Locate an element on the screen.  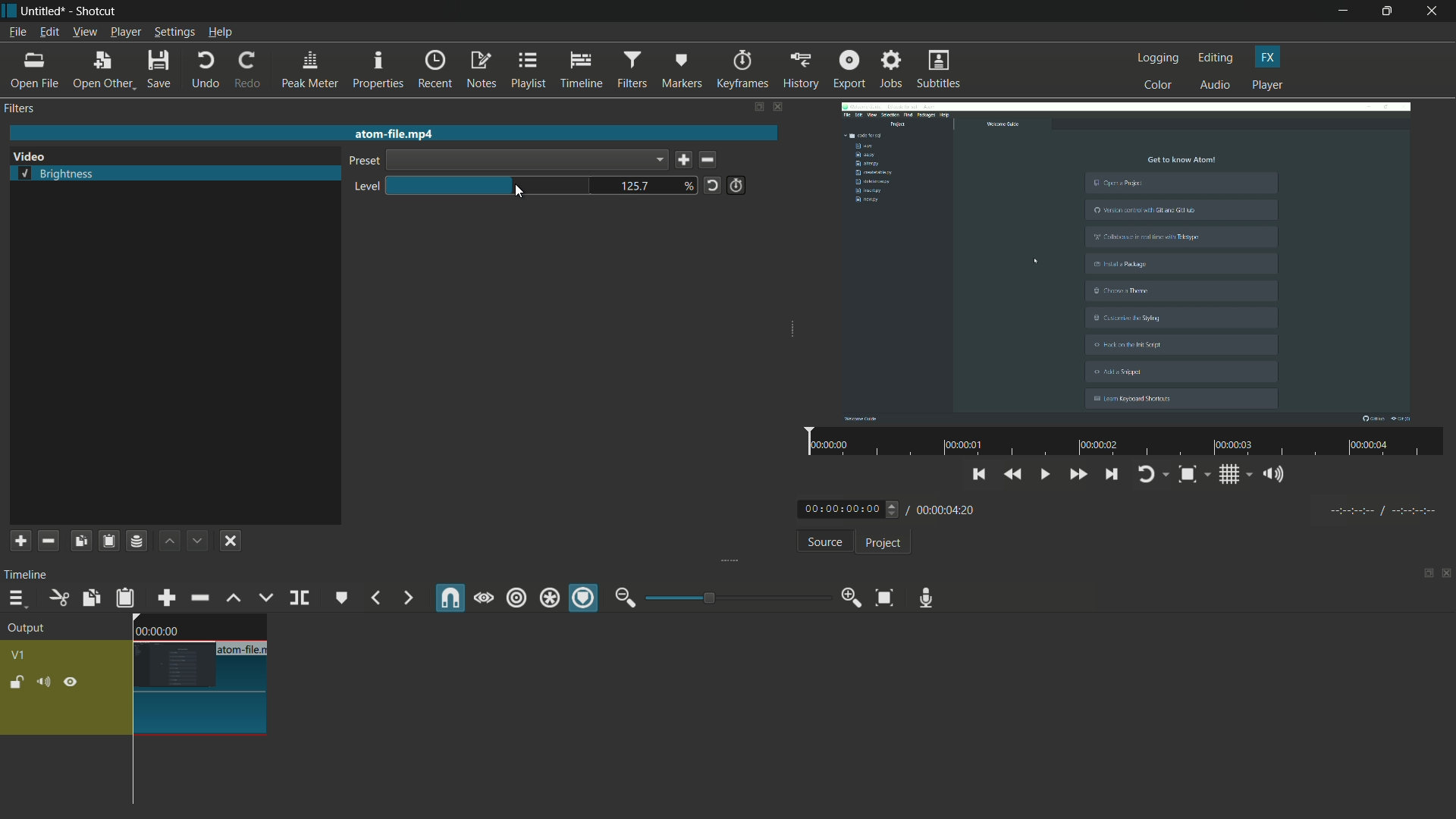
recent is located at coordinates (437, 69).